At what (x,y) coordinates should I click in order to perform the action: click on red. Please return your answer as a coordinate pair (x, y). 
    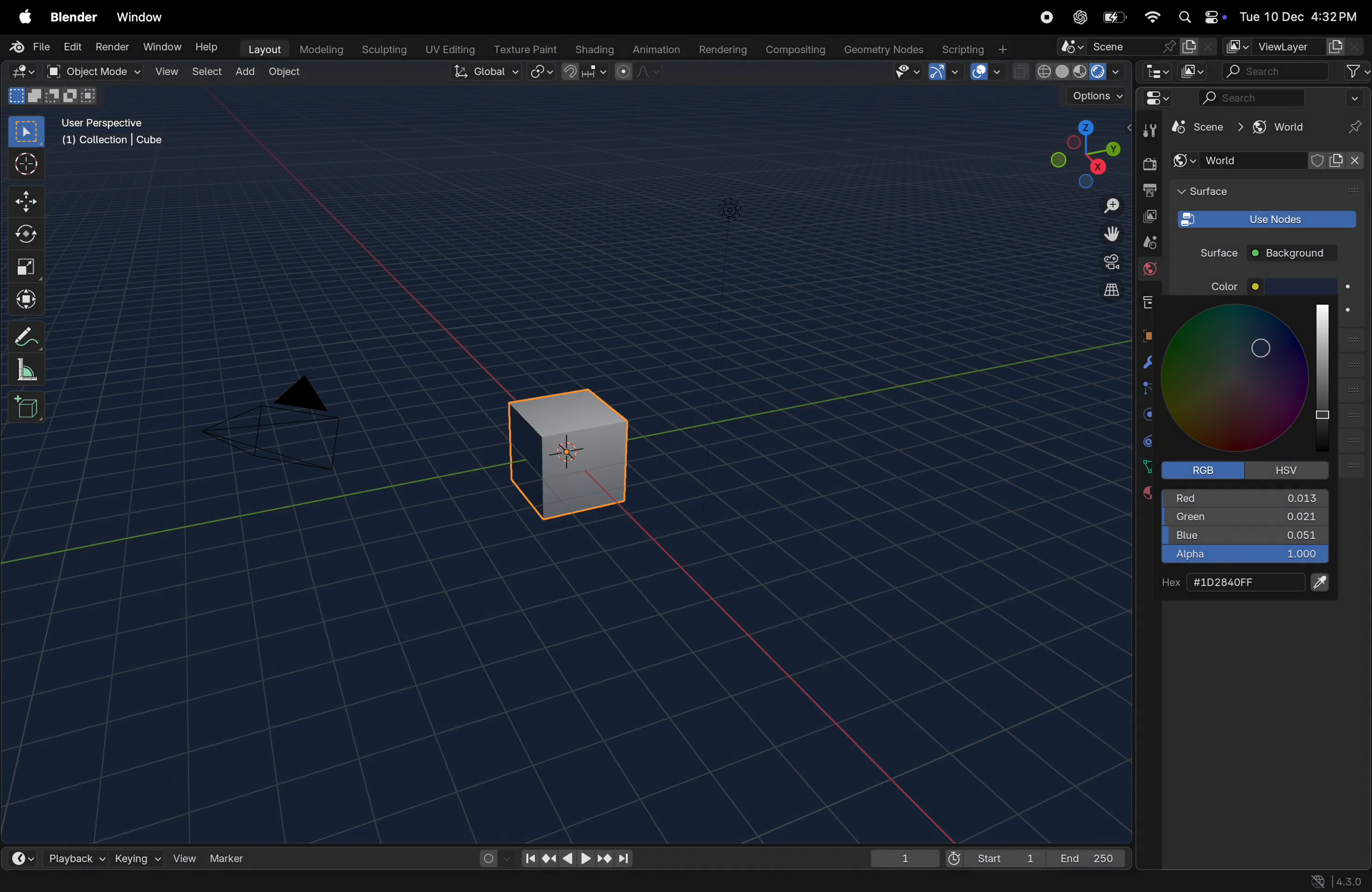
    Looking at the image, I should click on (1243, 497).